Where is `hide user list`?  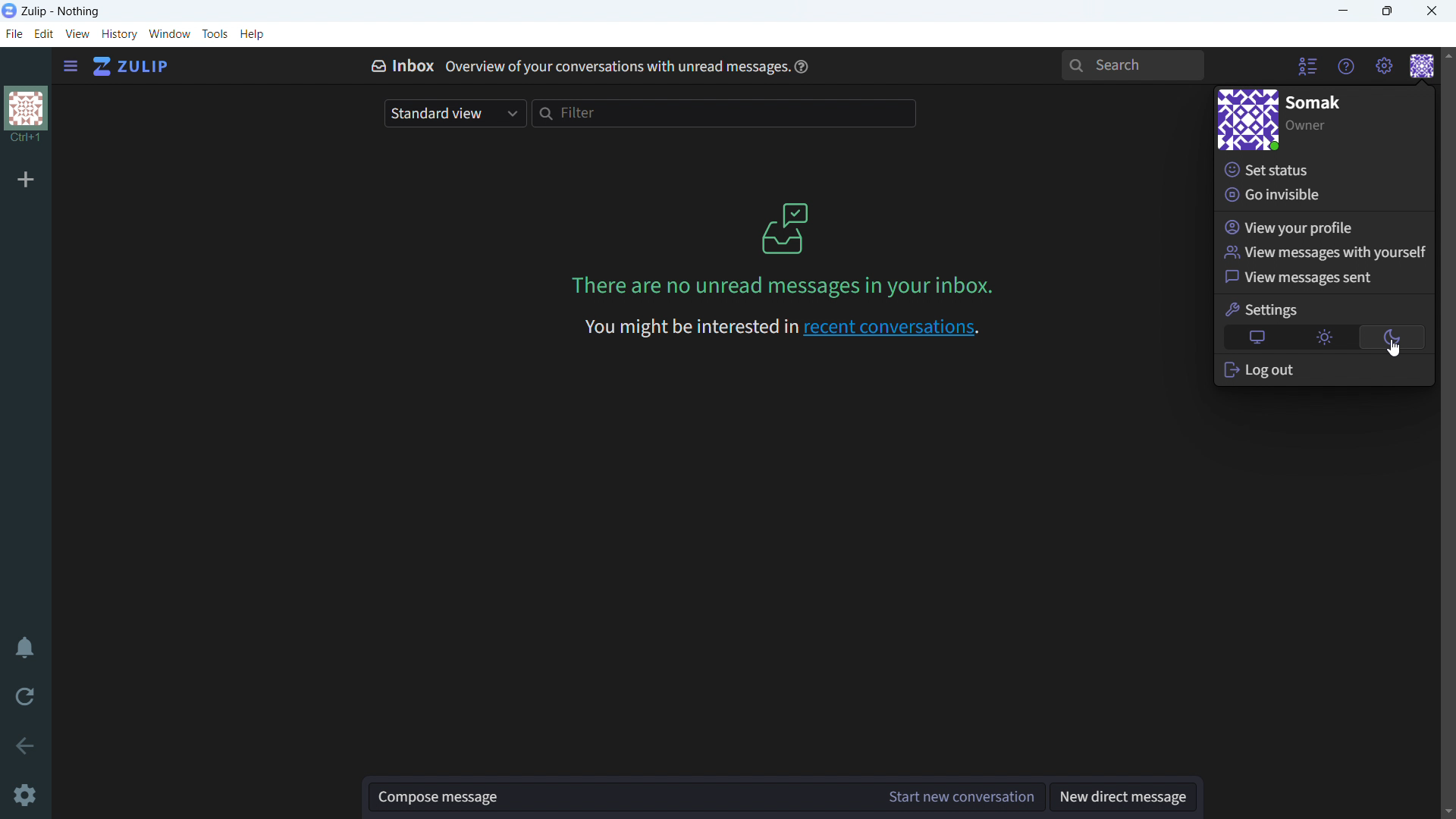
hide user list is located at coordinates (1309, 64).